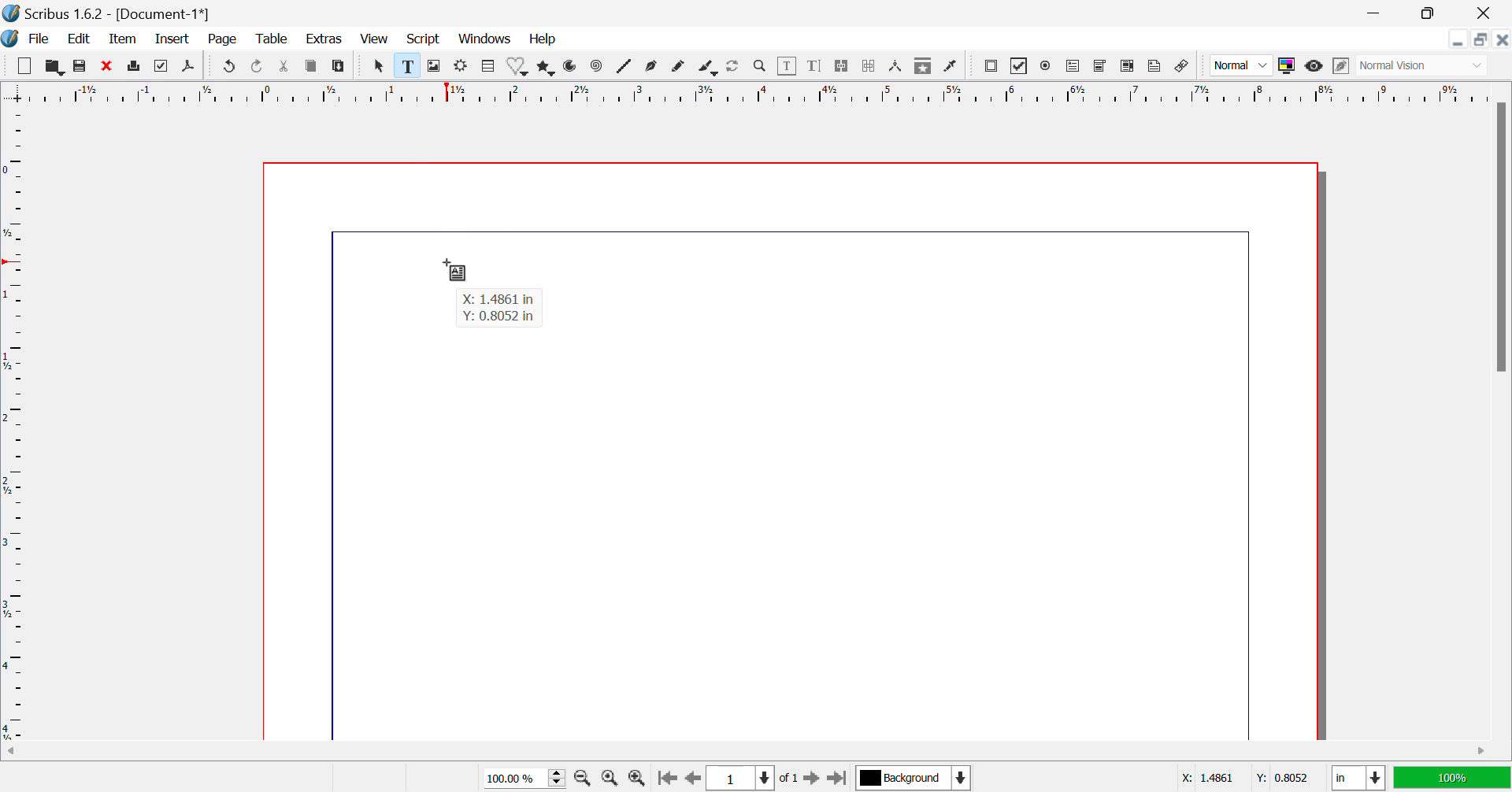 The height and width of the screenshot is (792, 1512). I want to click on Polygons, so click(545, 69).